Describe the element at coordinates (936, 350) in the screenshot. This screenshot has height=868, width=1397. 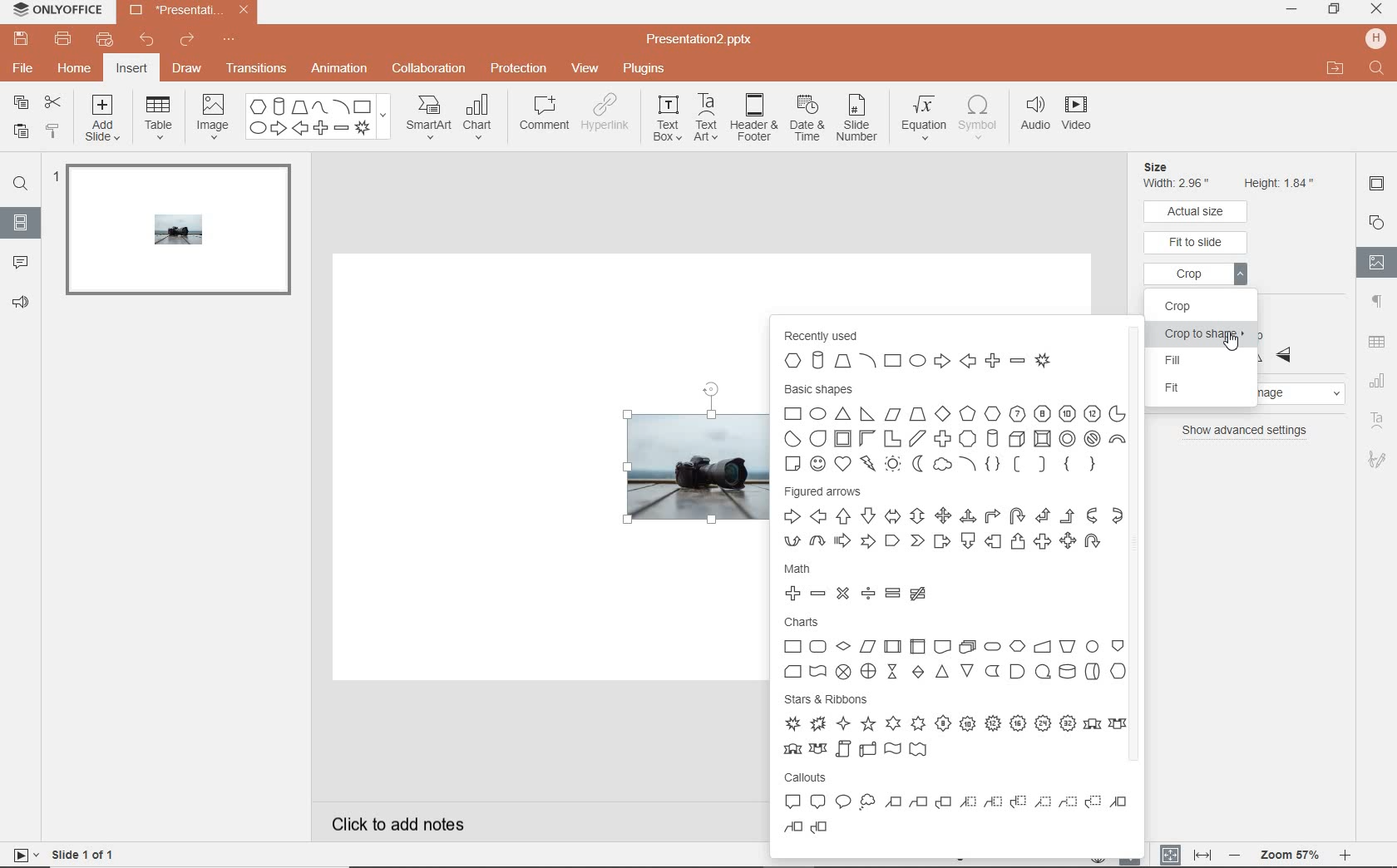
I see `recently used shapes` at that location.